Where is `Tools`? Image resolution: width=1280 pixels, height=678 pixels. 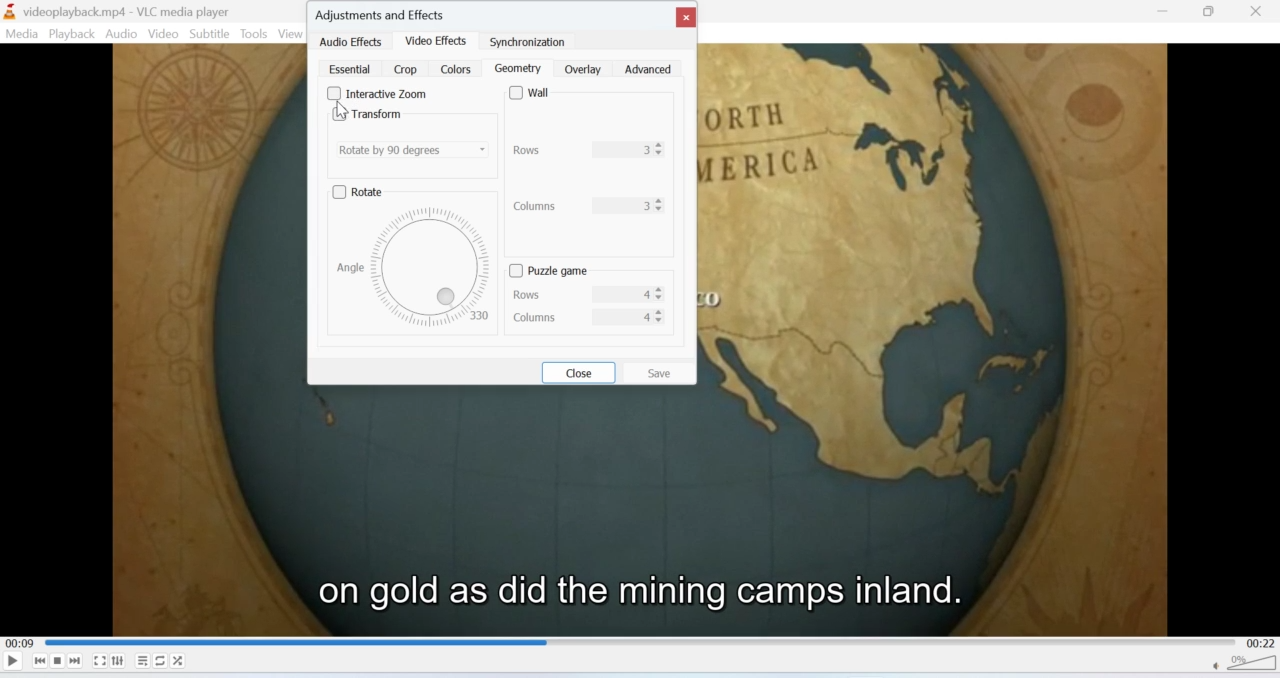
Tools is located at coordinates (254, 34).